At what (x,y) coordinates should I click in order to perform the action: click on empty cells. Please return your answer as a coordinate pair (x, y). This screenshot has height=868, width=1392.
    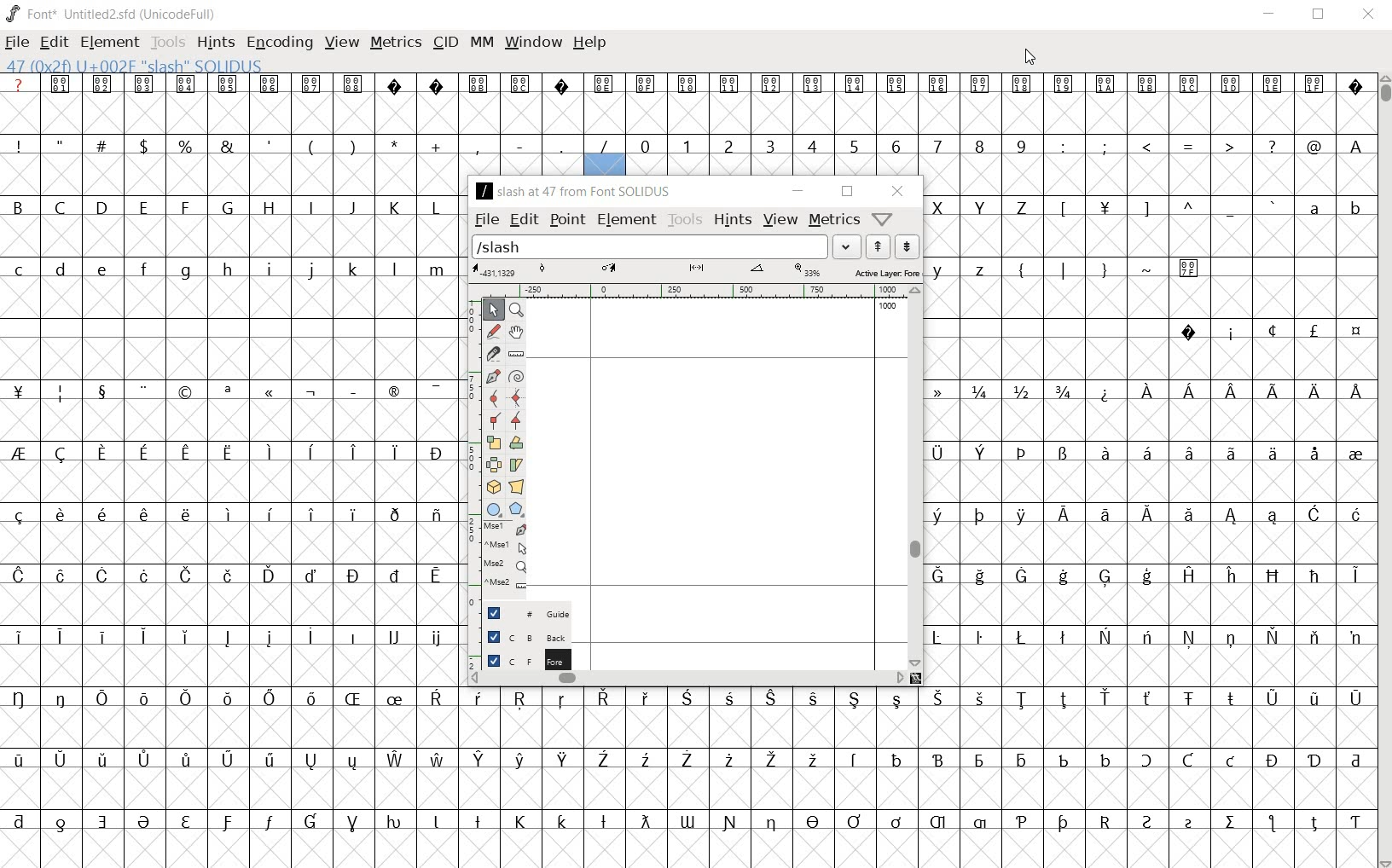
    Looking at the image, I should click on (233, 423).